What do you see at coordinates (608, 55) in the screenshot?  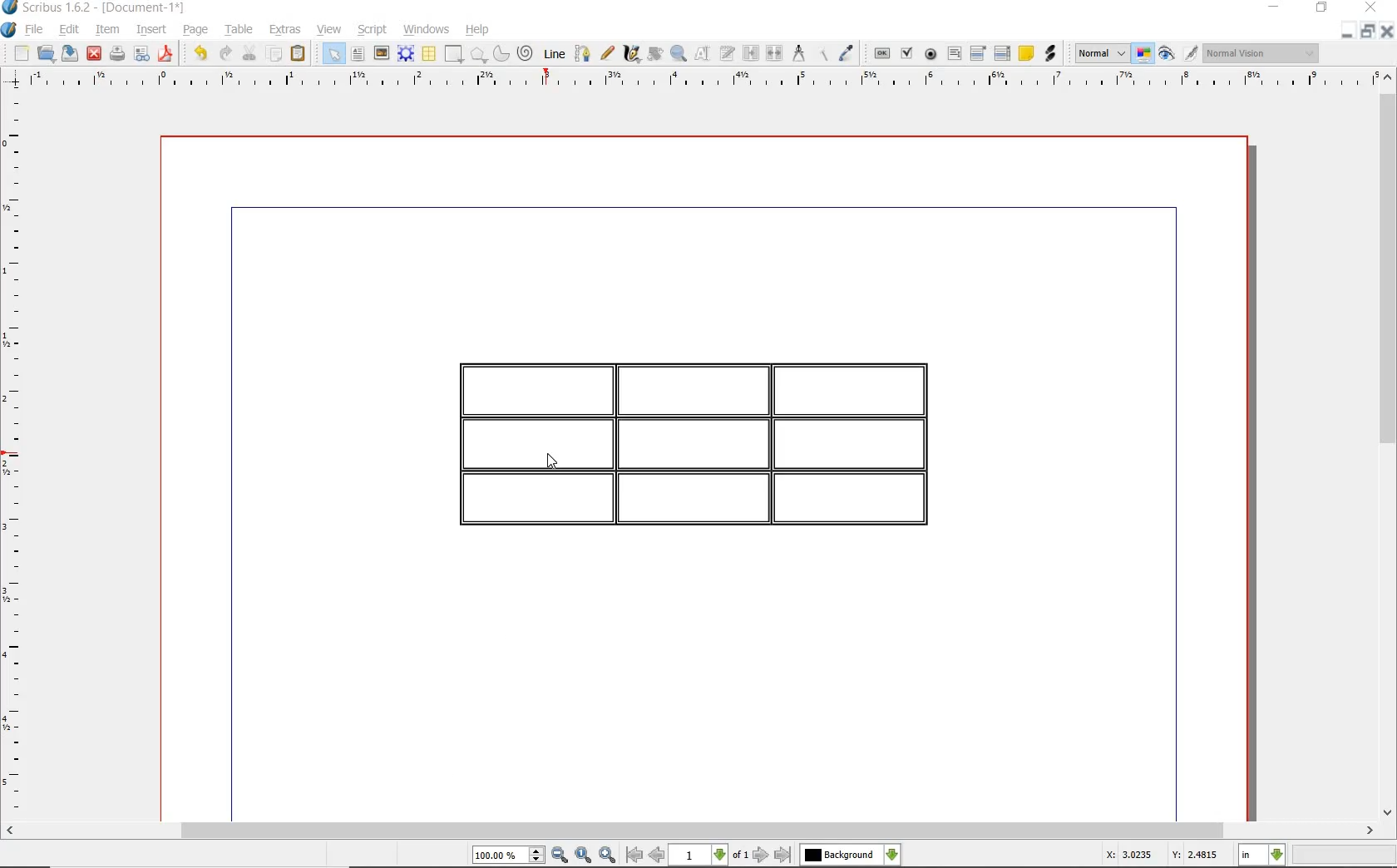 I see `freehand line` at bounding box center [608, 55].